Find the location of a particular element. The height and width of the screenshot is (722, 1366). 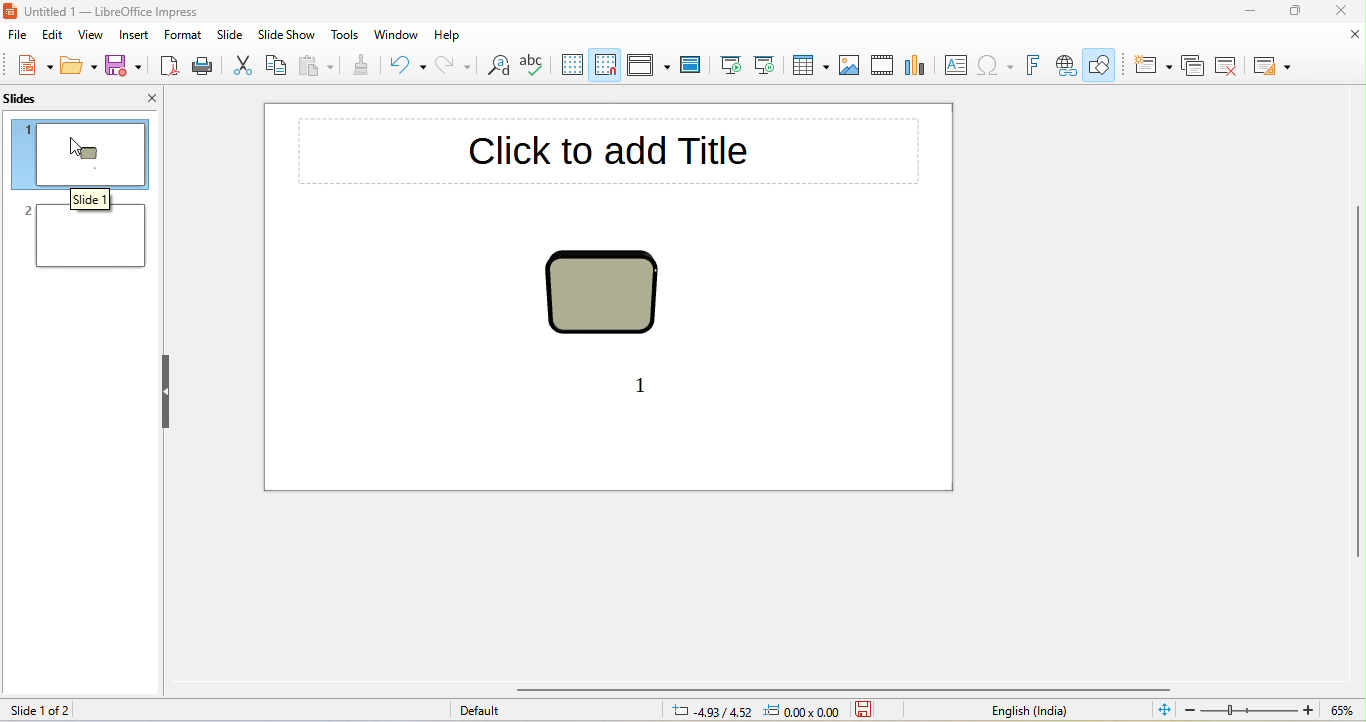

text box is located at coordinates (953, 65).